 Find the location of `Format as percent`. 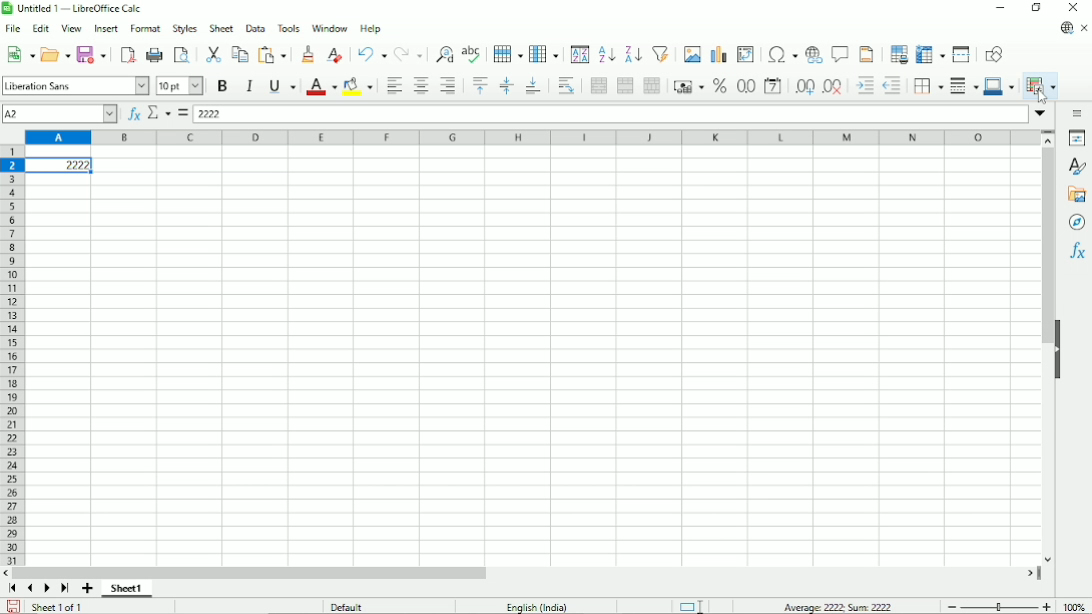

Format as percent is located at coordinates (718, 86).